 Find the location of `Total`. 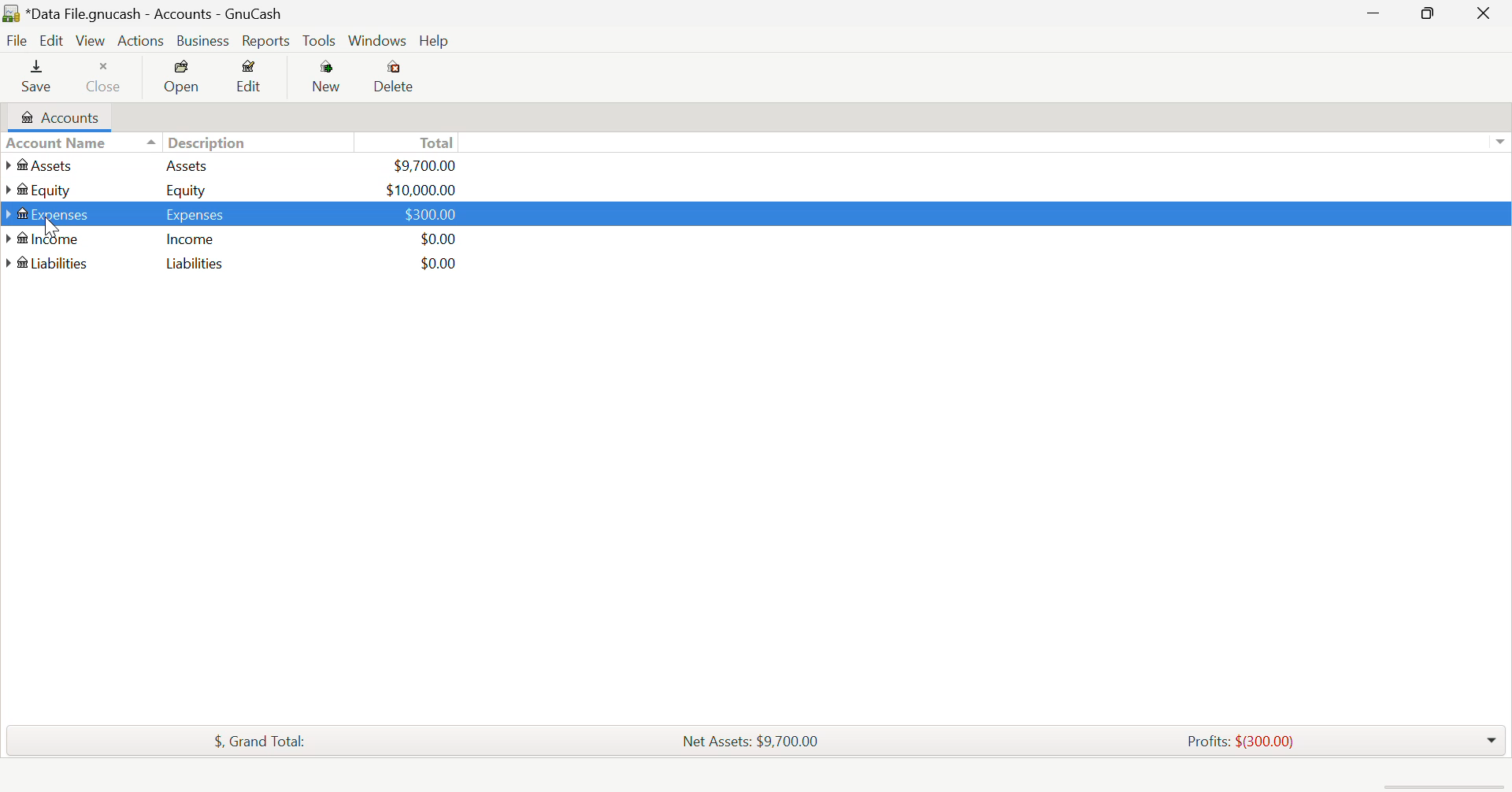

Total is located at coordinates (415, 142).